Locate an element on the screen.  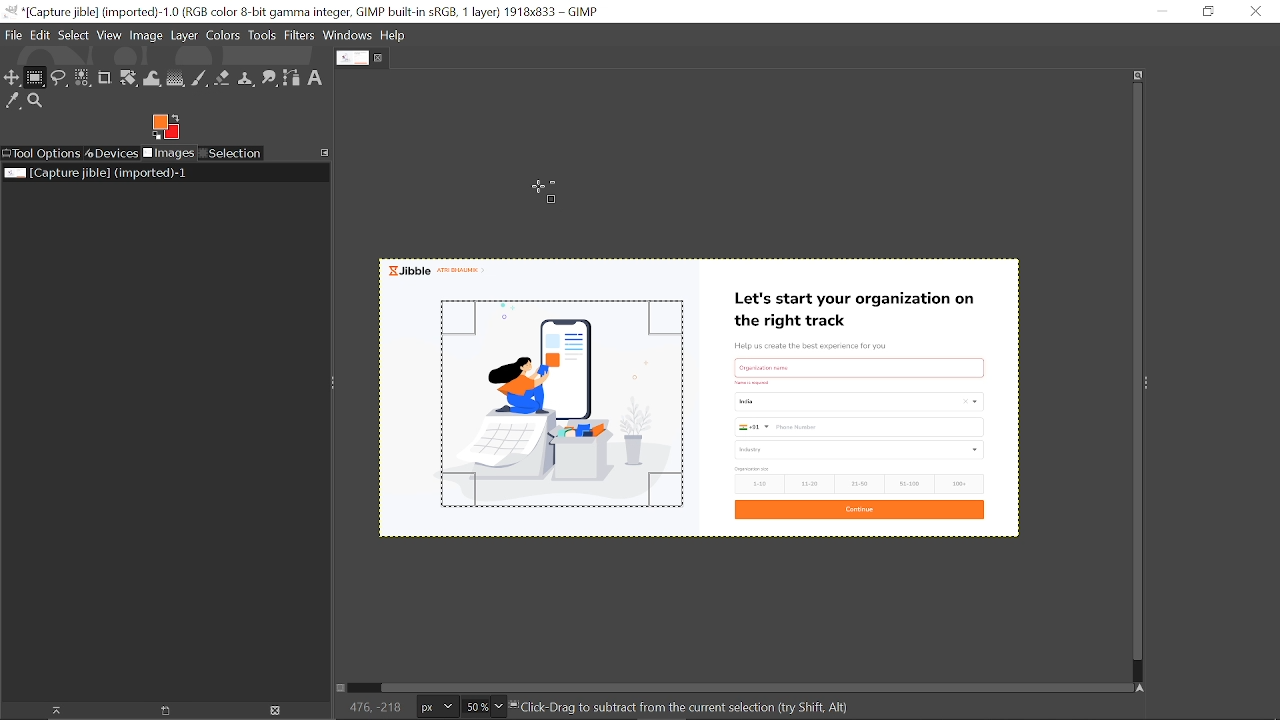
Layer is located at coordinates (185, 36).